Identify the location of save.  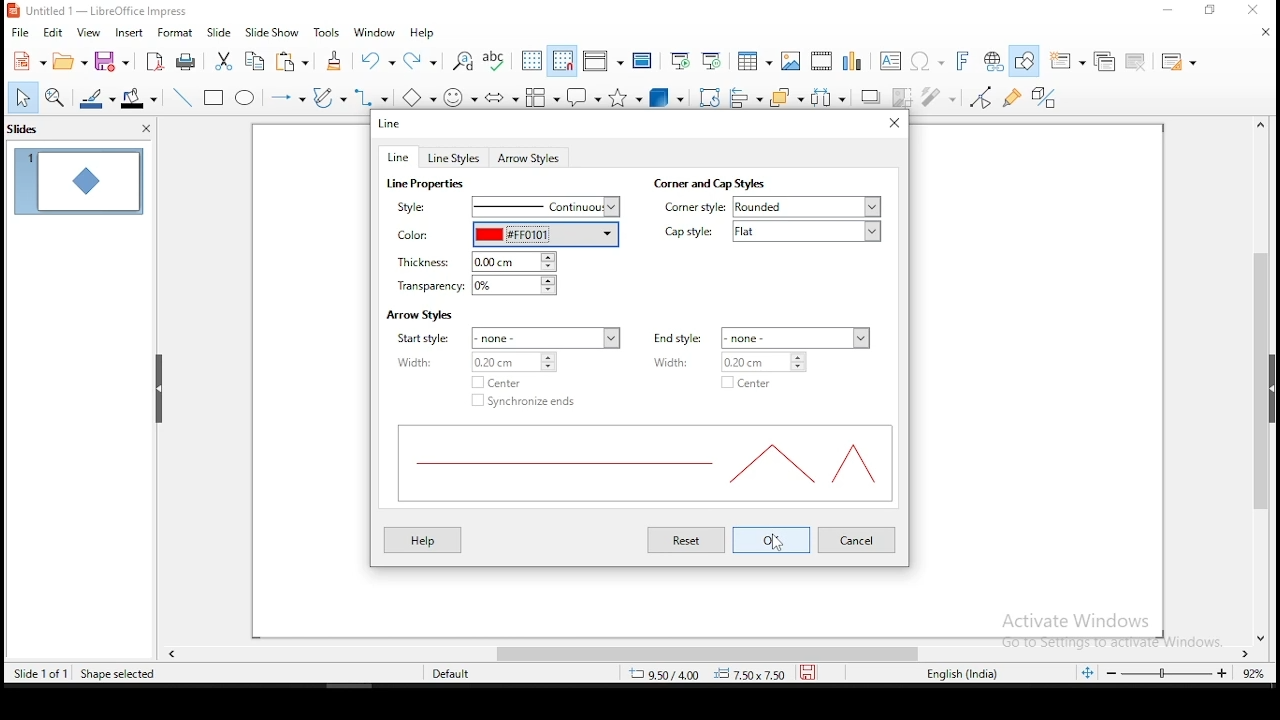
(807, 671).